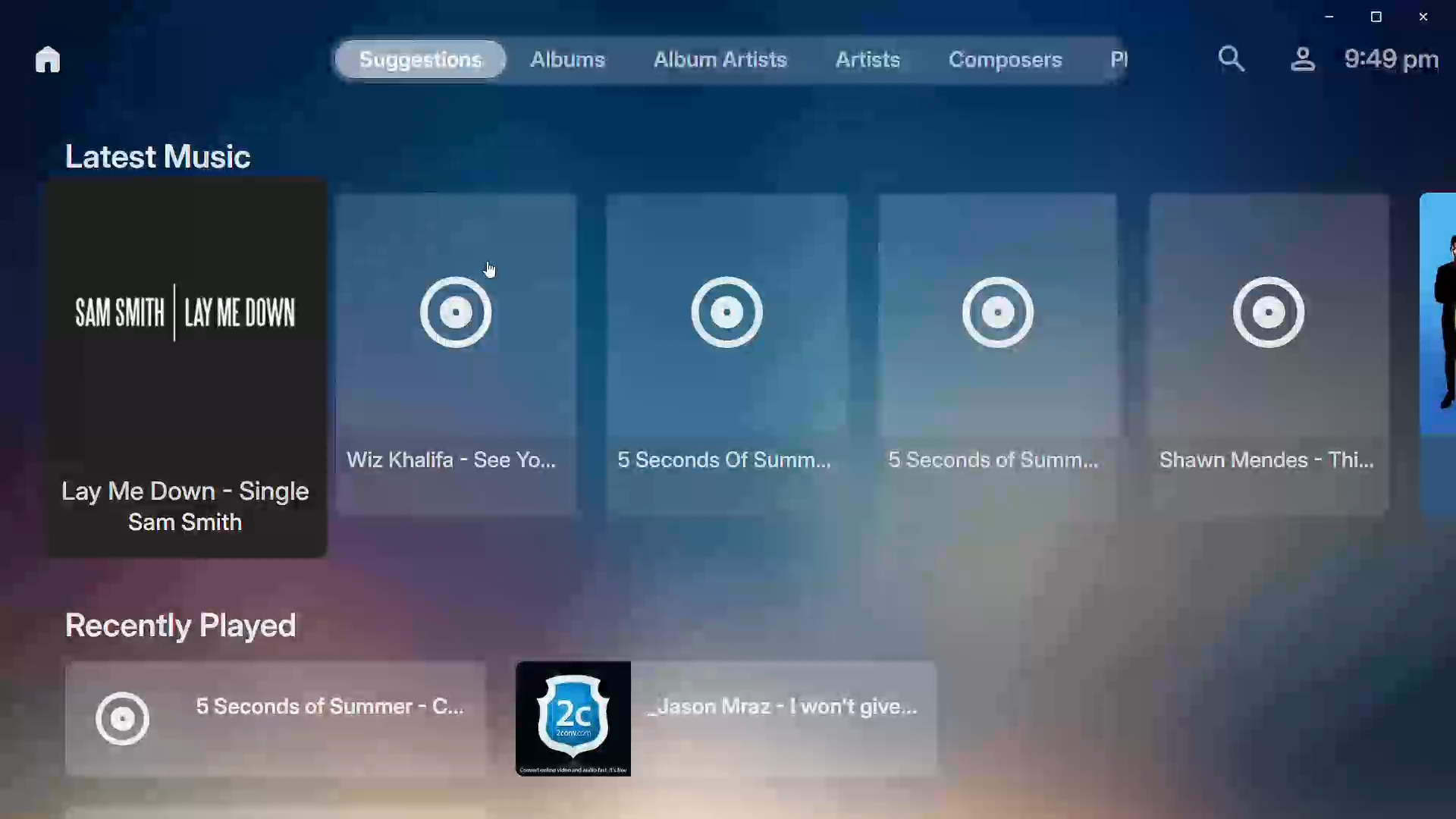  I want to click on Time, so click(1391, 57).